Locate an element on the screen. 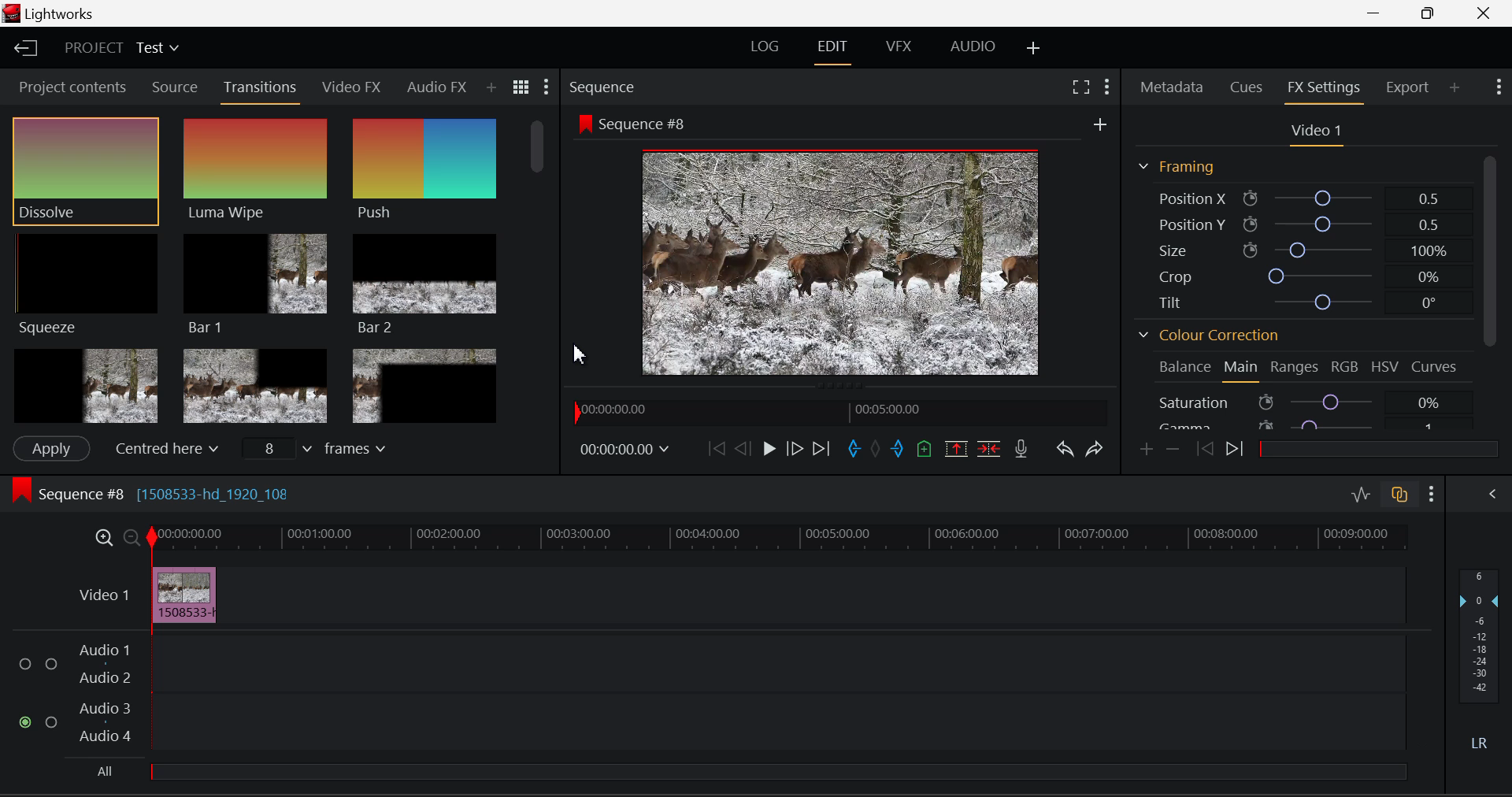 The width and height of the screenshot is (1512, 797). Next keyframe is located at coordinates (1240, 452).